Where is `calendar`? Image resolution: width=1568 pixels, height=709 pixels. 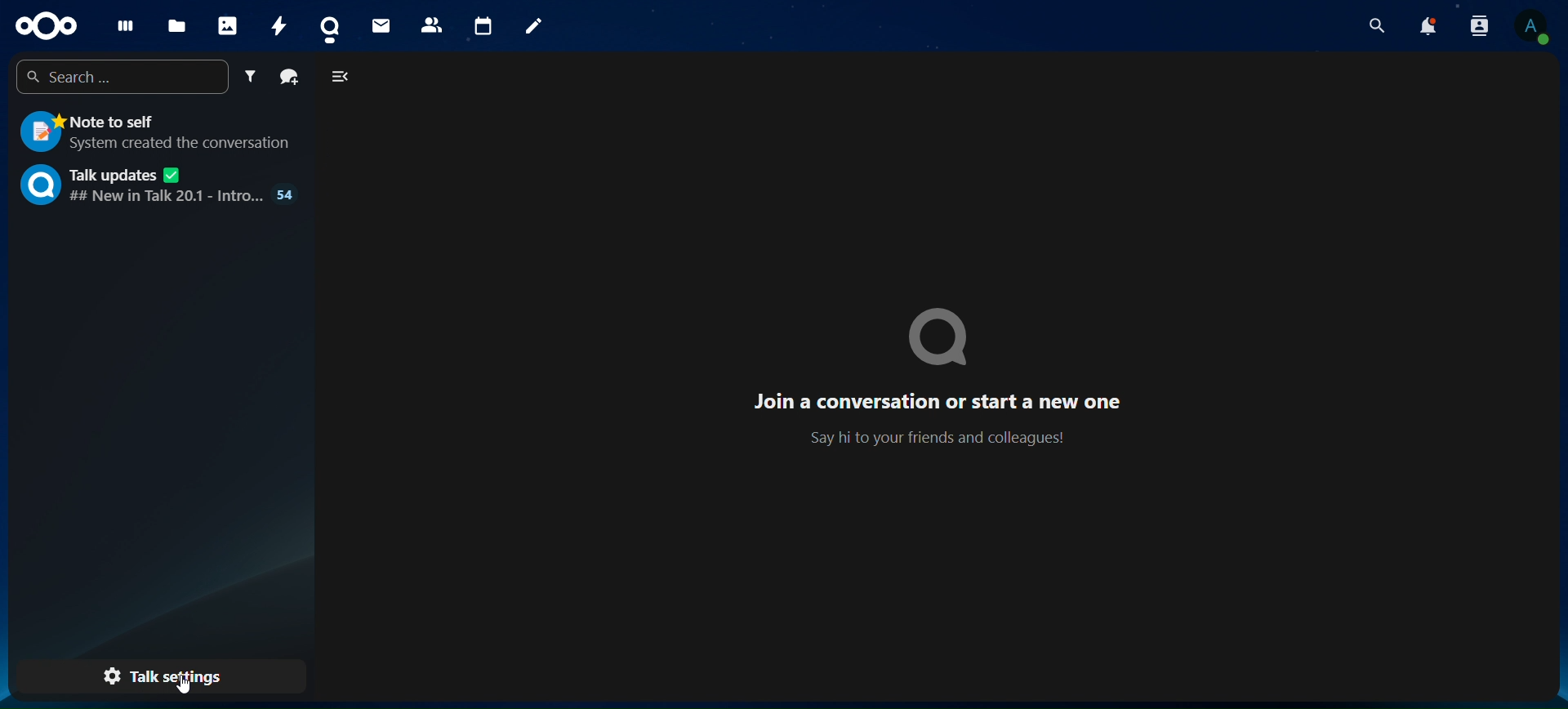 calendar is located at coordinates (485, 22).